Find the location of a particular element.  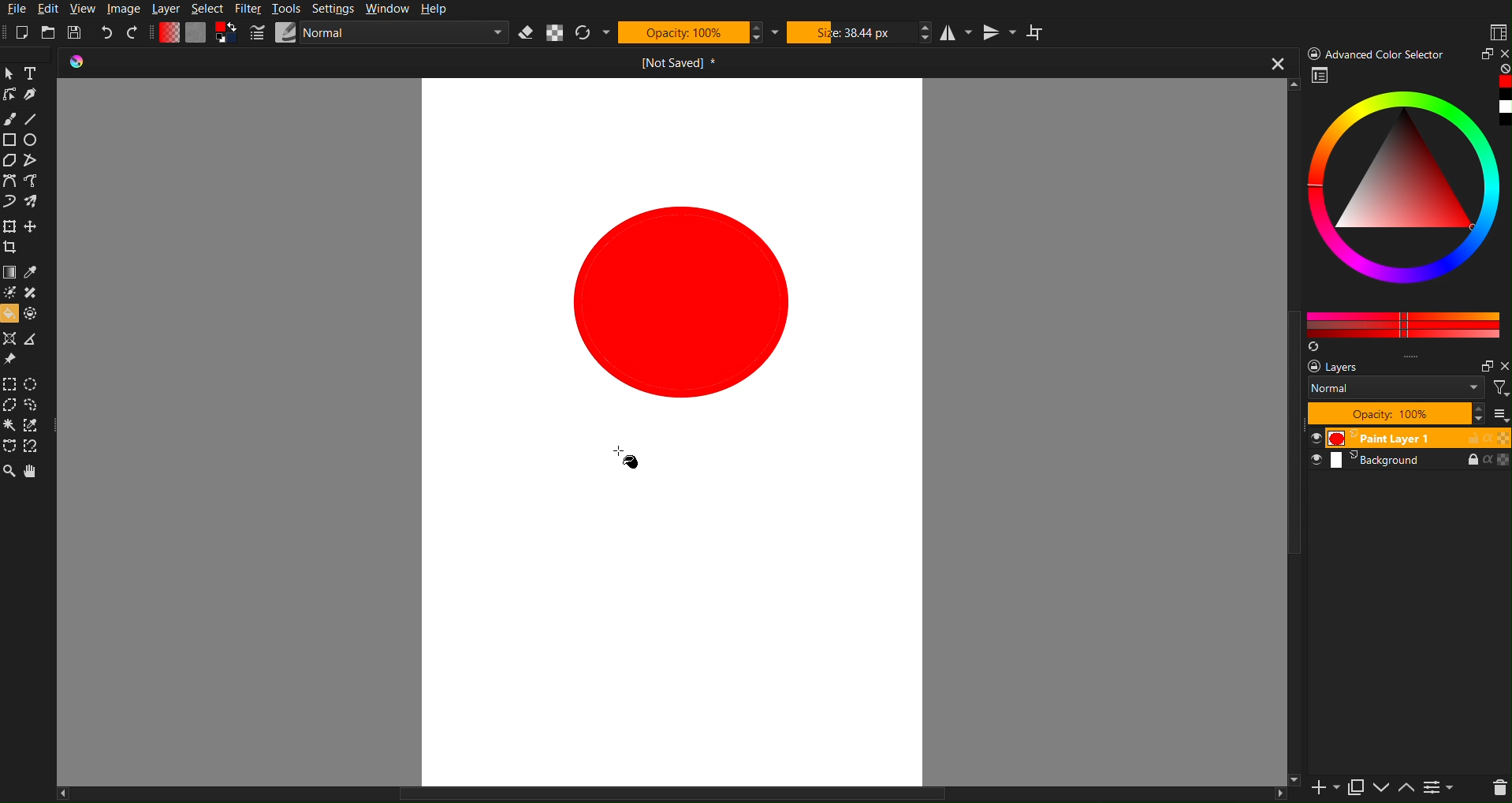

Red is located at coordinates (1503, 77).